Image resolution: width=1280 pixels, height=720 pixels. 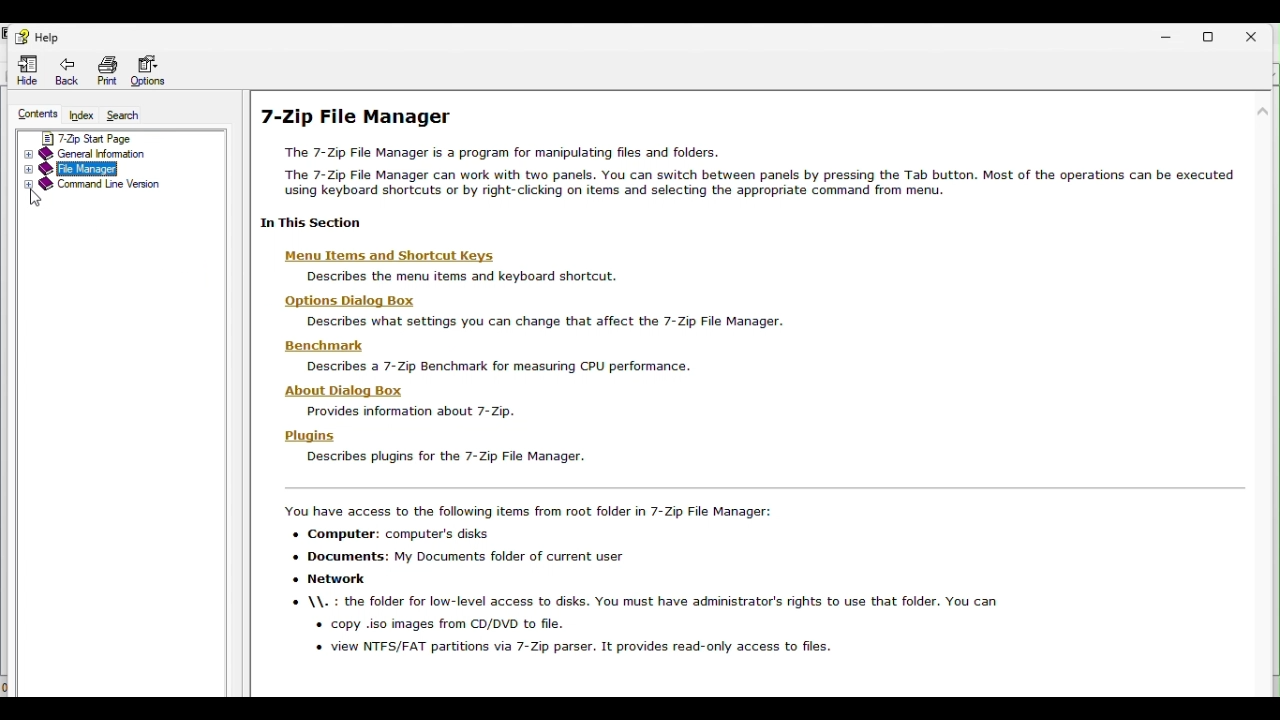 I want to click on expand, so click(x=29, y=188).